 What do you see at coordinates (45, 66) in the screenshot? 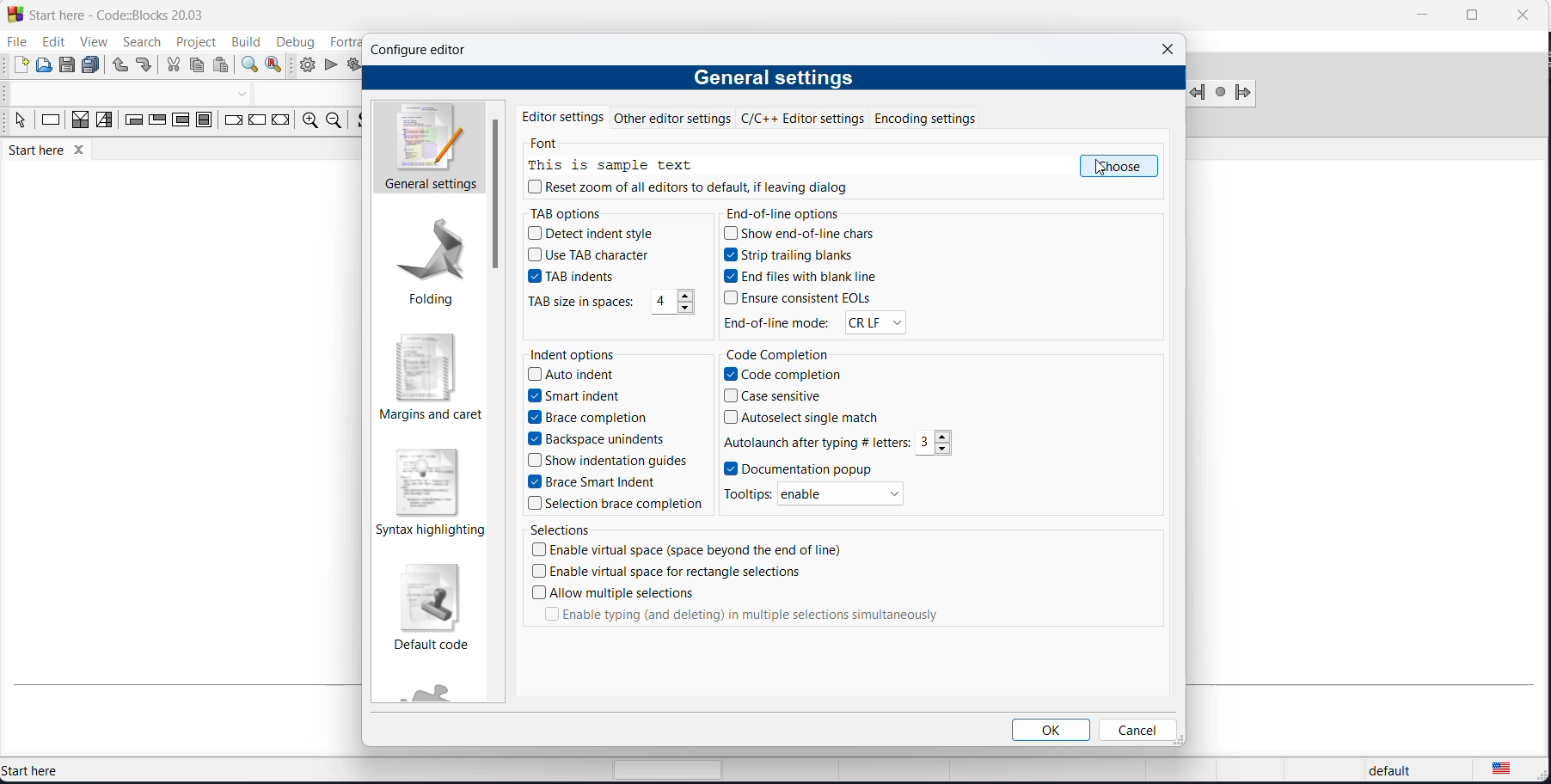
I see `open` at bounding box center [45, 66].